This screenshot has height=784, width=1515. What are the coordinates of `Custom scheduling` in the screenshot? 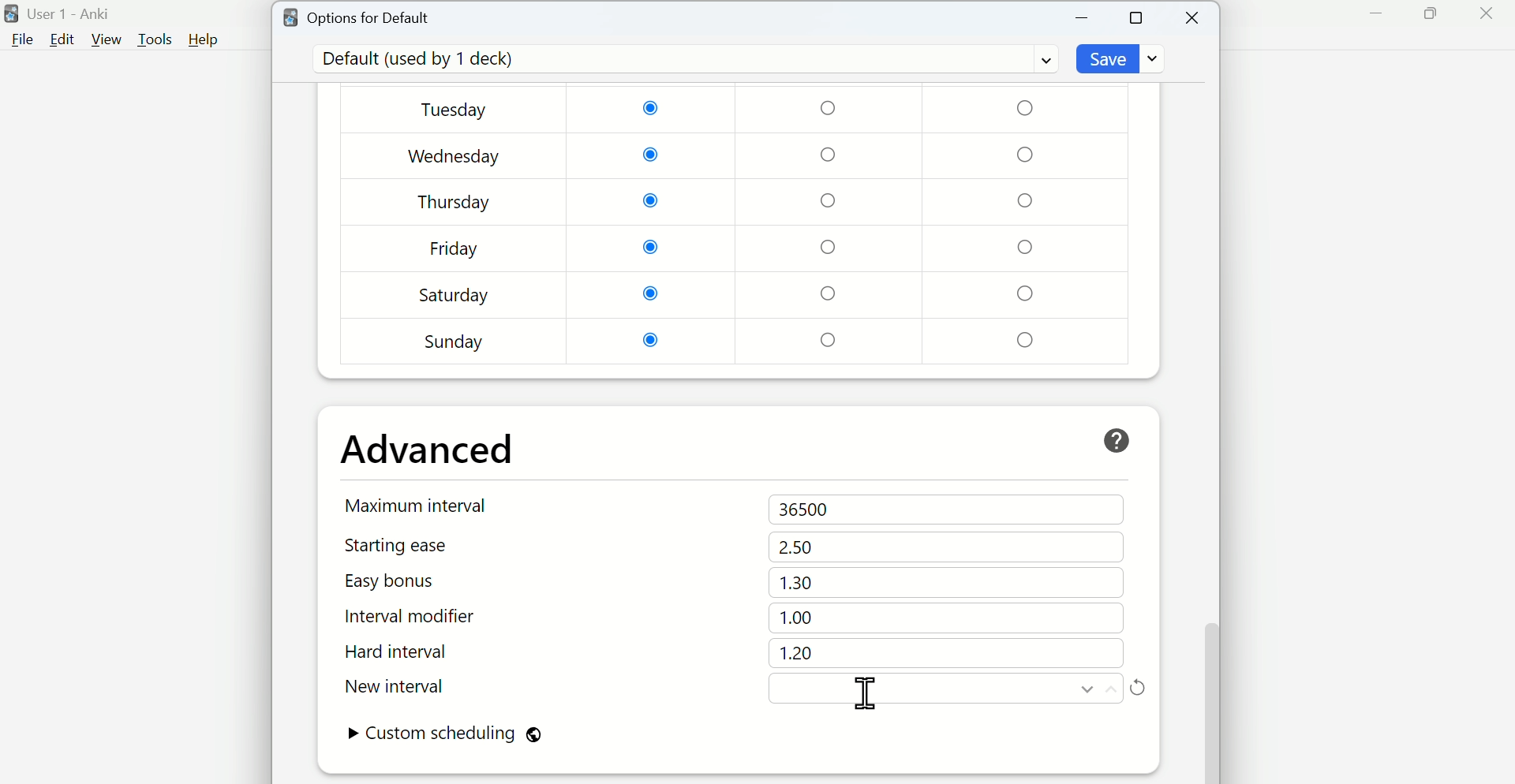 It's located at (444, 735).